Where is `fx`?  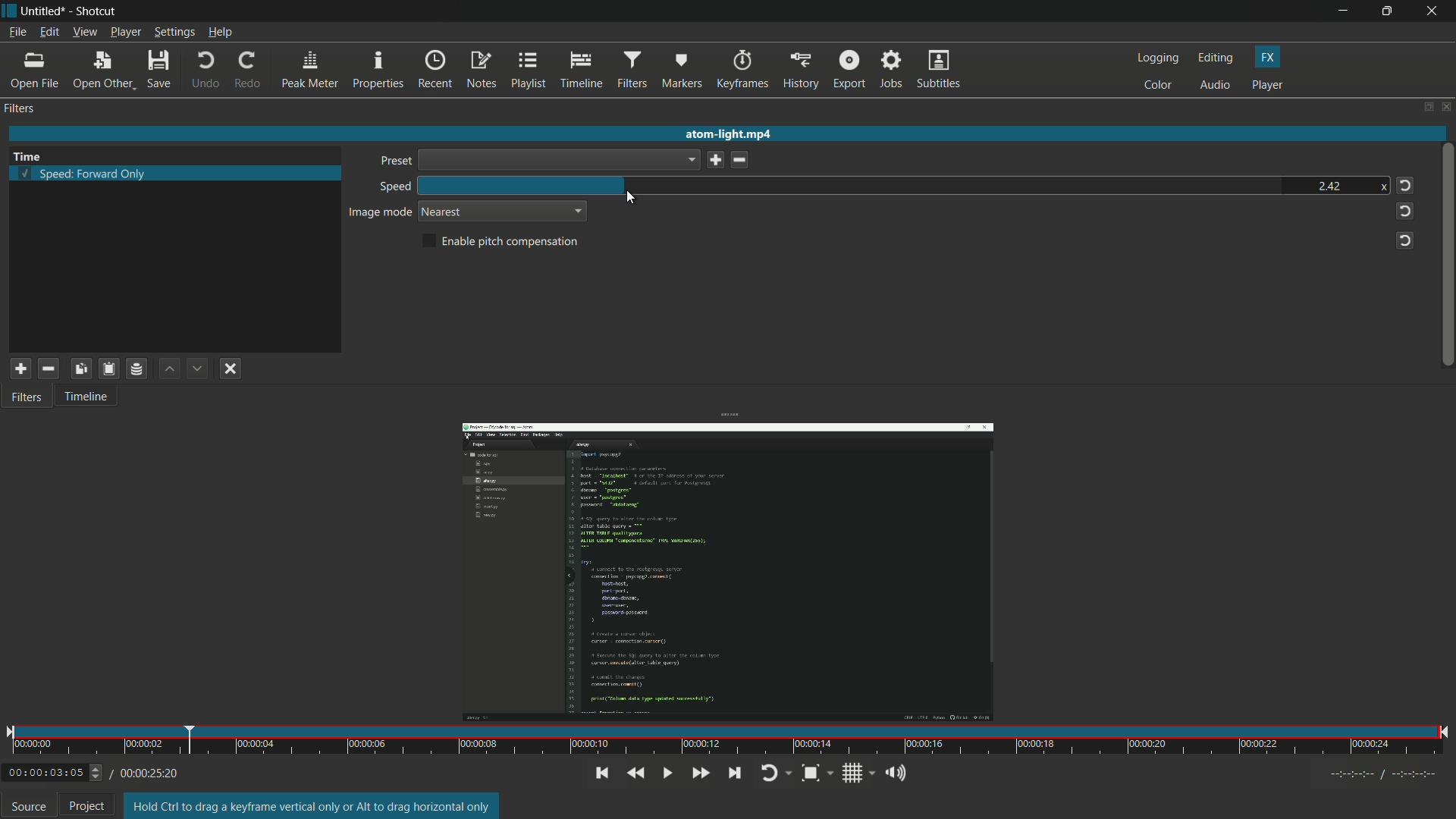
fx is located at coordinates (1270, 58).